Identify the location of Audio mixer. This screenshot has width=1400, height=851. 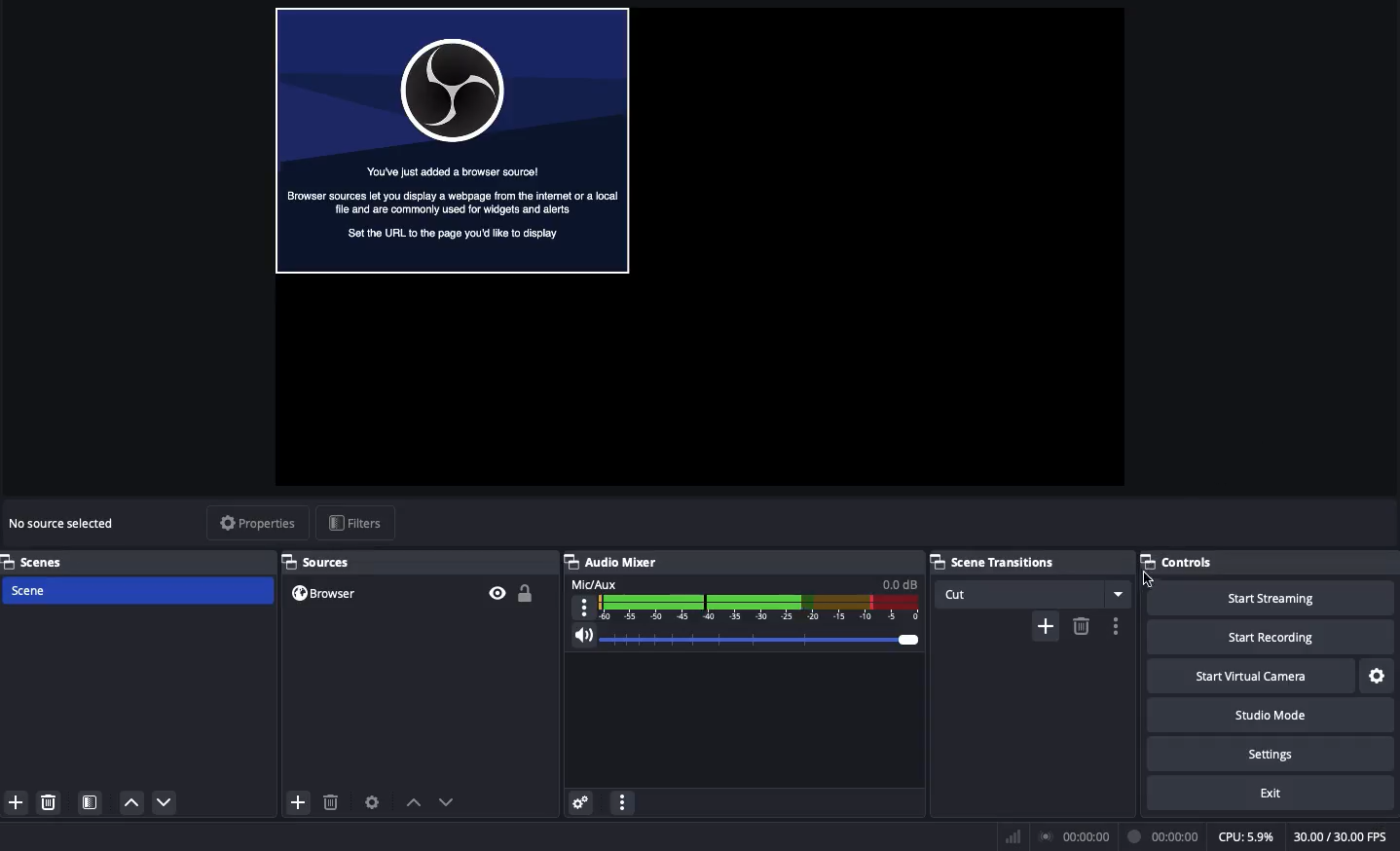
(614, 561).